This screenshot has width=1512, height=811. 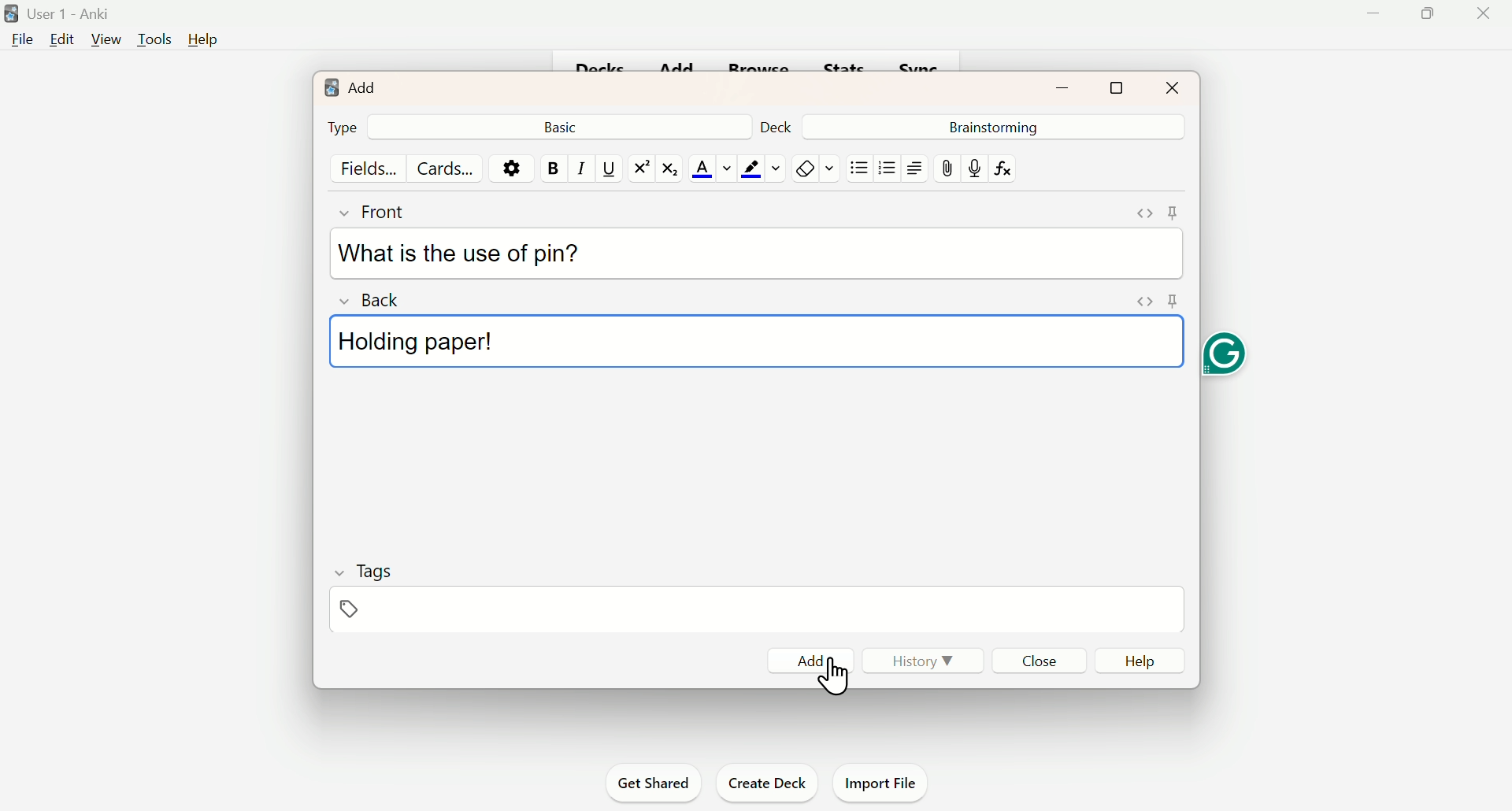 What do you see at coordinates (1371, 19) in the screenshot?
I see `Minimise` at bounding box center [1371, 19].